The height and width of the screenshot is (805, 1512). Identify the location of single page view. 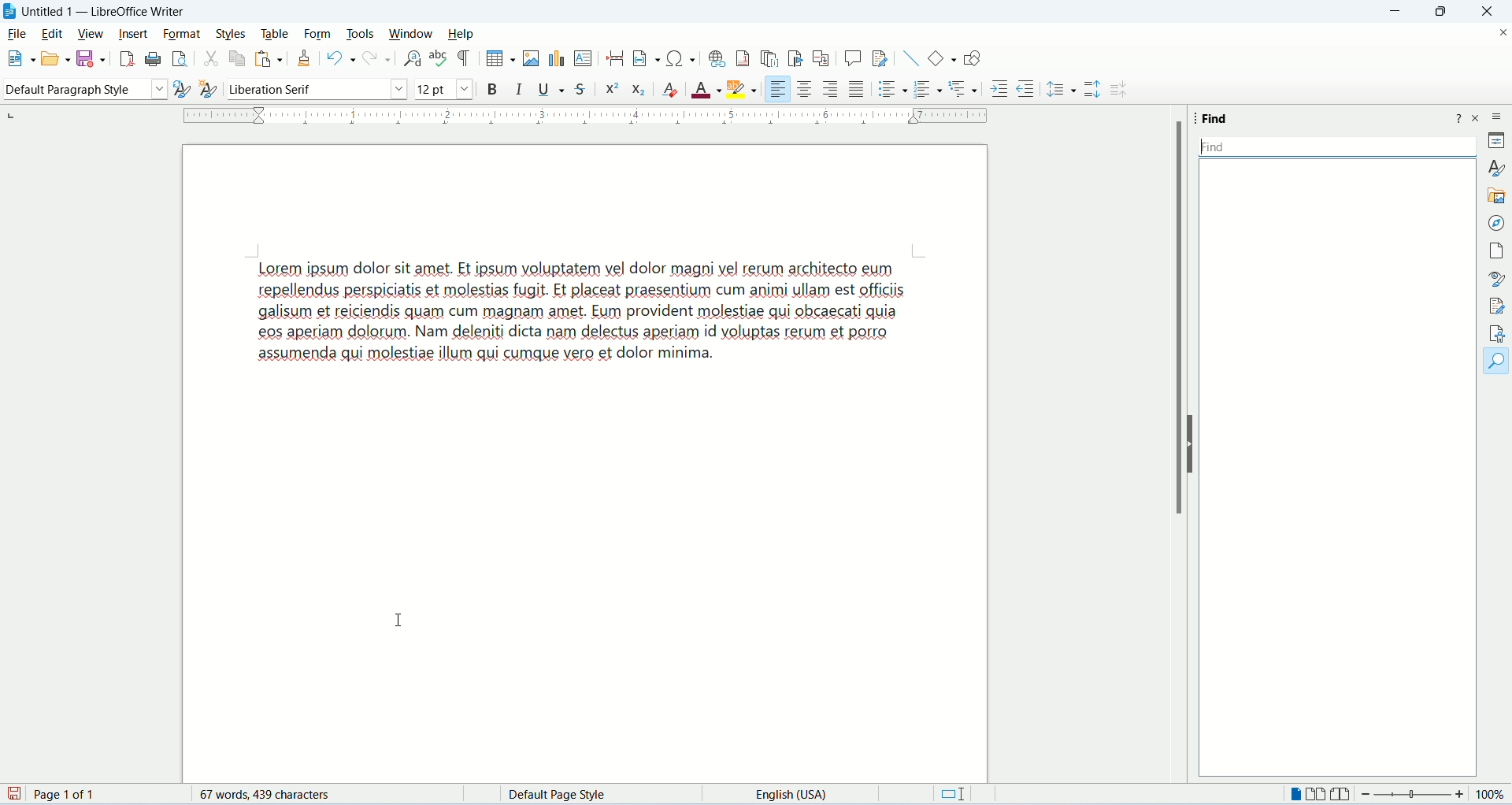
(1297, 796).